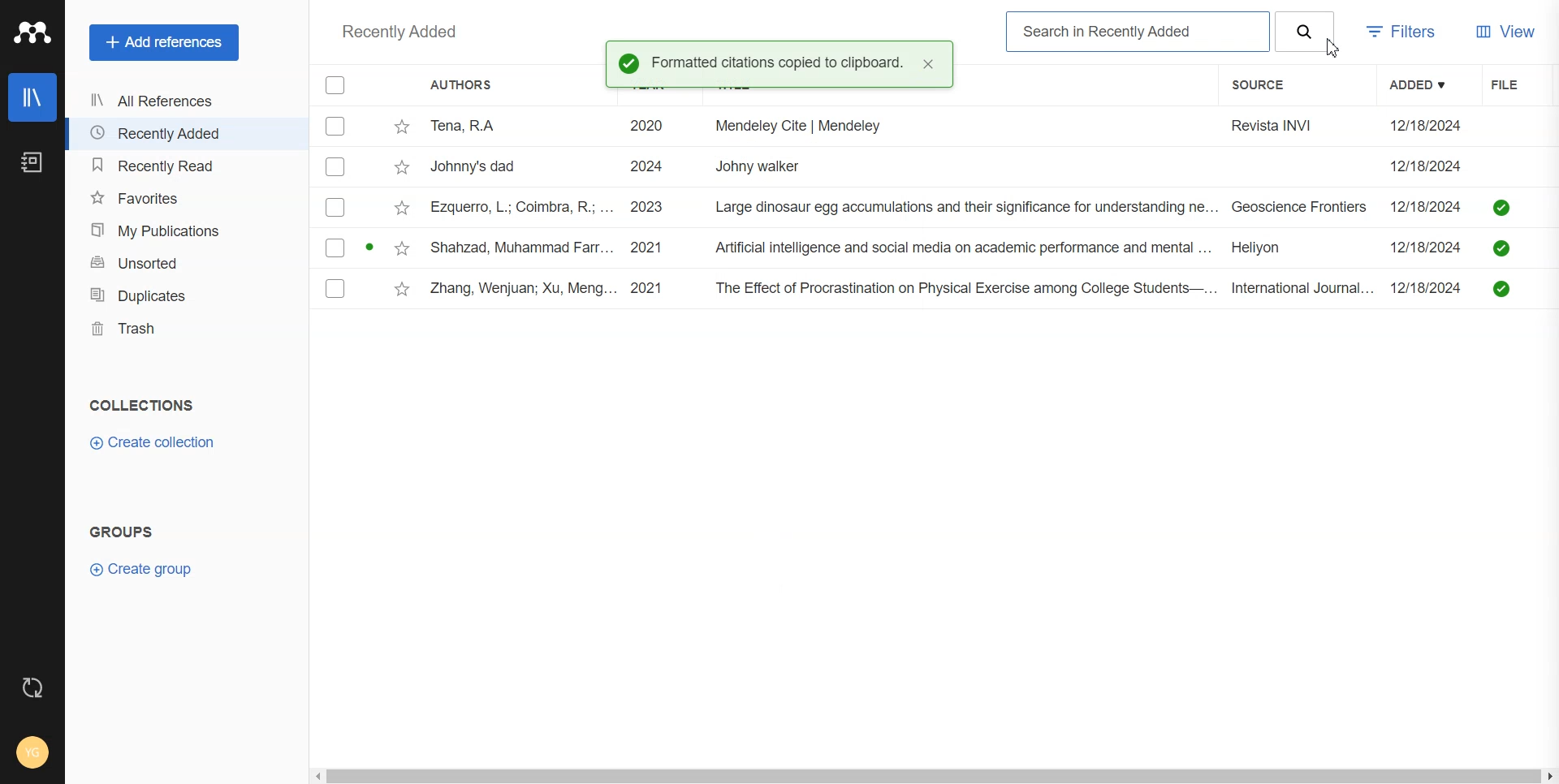 The height and width of the screenshot is (784, 1559). I want to click on Star, so click(402, 128).